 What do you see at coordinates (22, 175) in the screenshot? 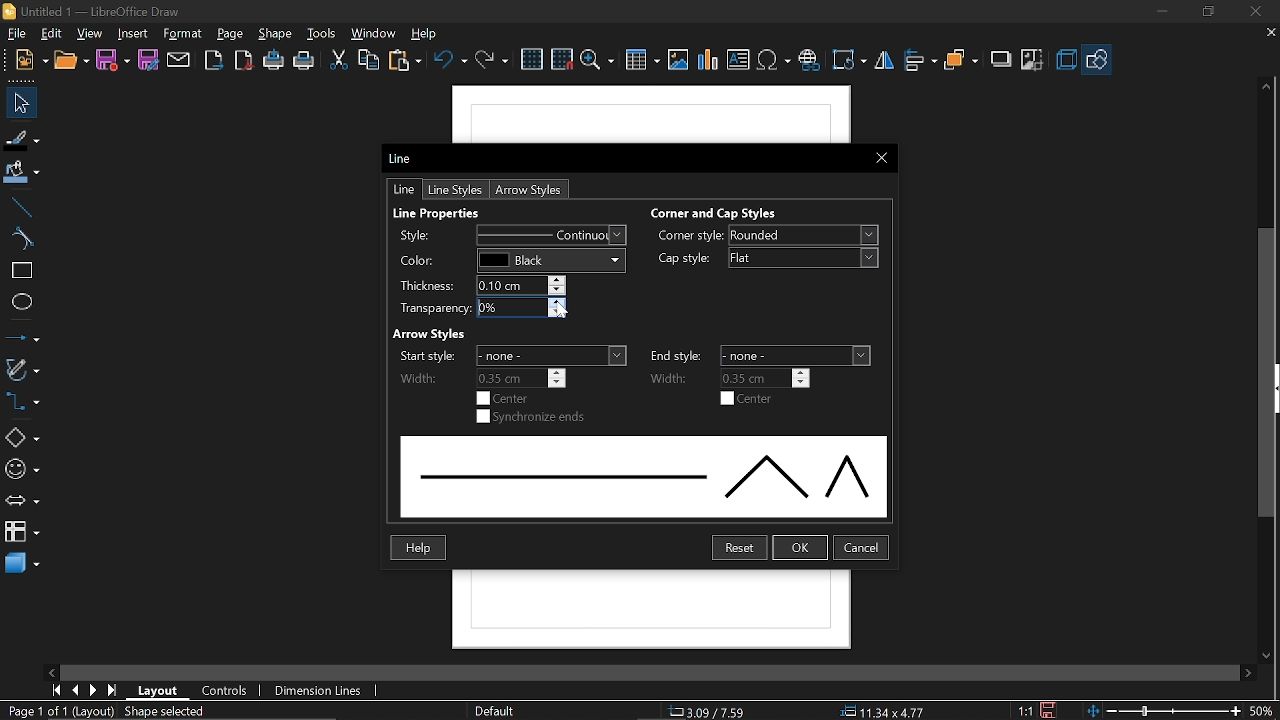
I see `Fill color` at bounding box center [22, 175].